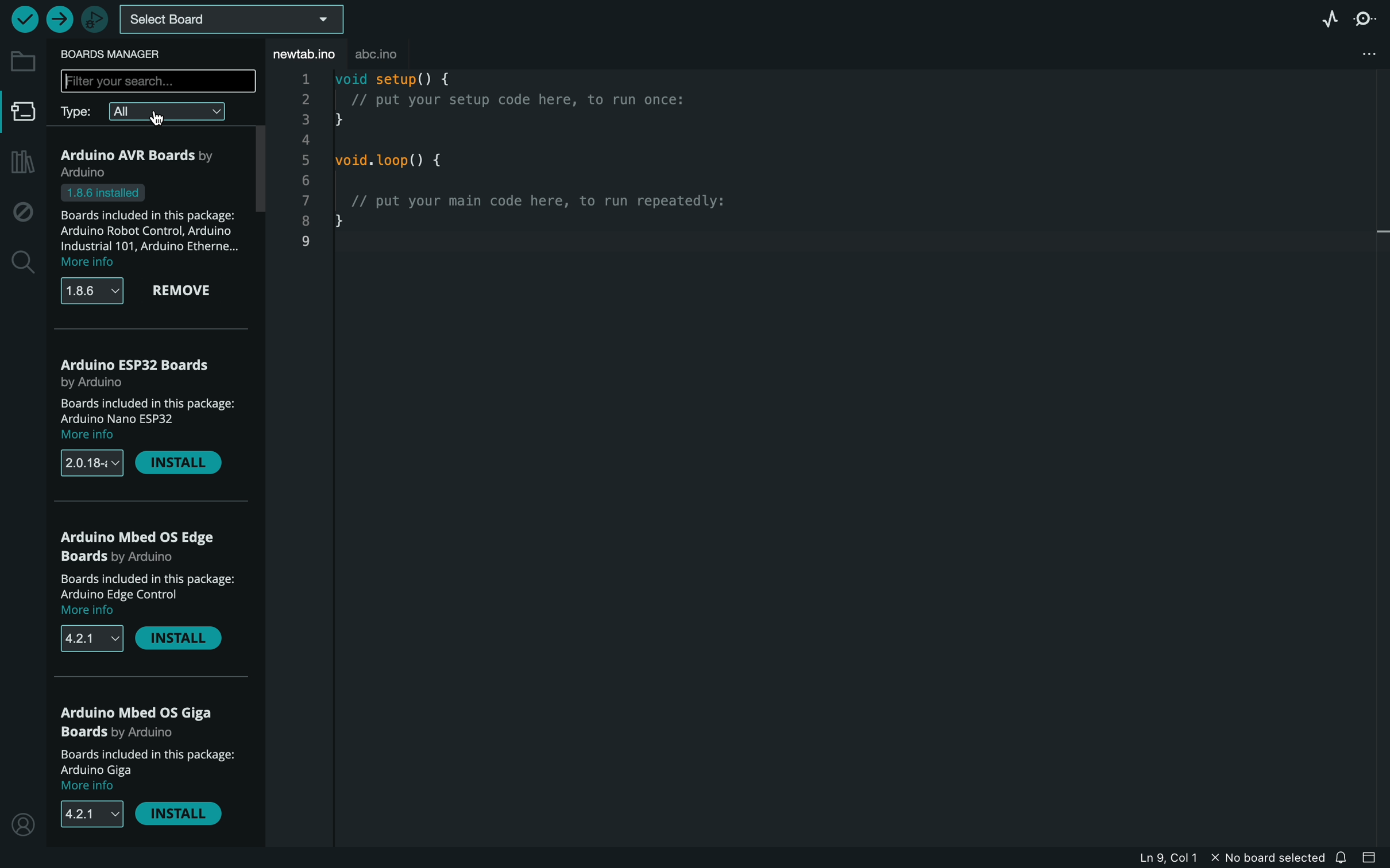 This screenshot has height=868, width=1390. Describe the element at coordinates (154, 595) in the screenshot. I see `description` at that location.